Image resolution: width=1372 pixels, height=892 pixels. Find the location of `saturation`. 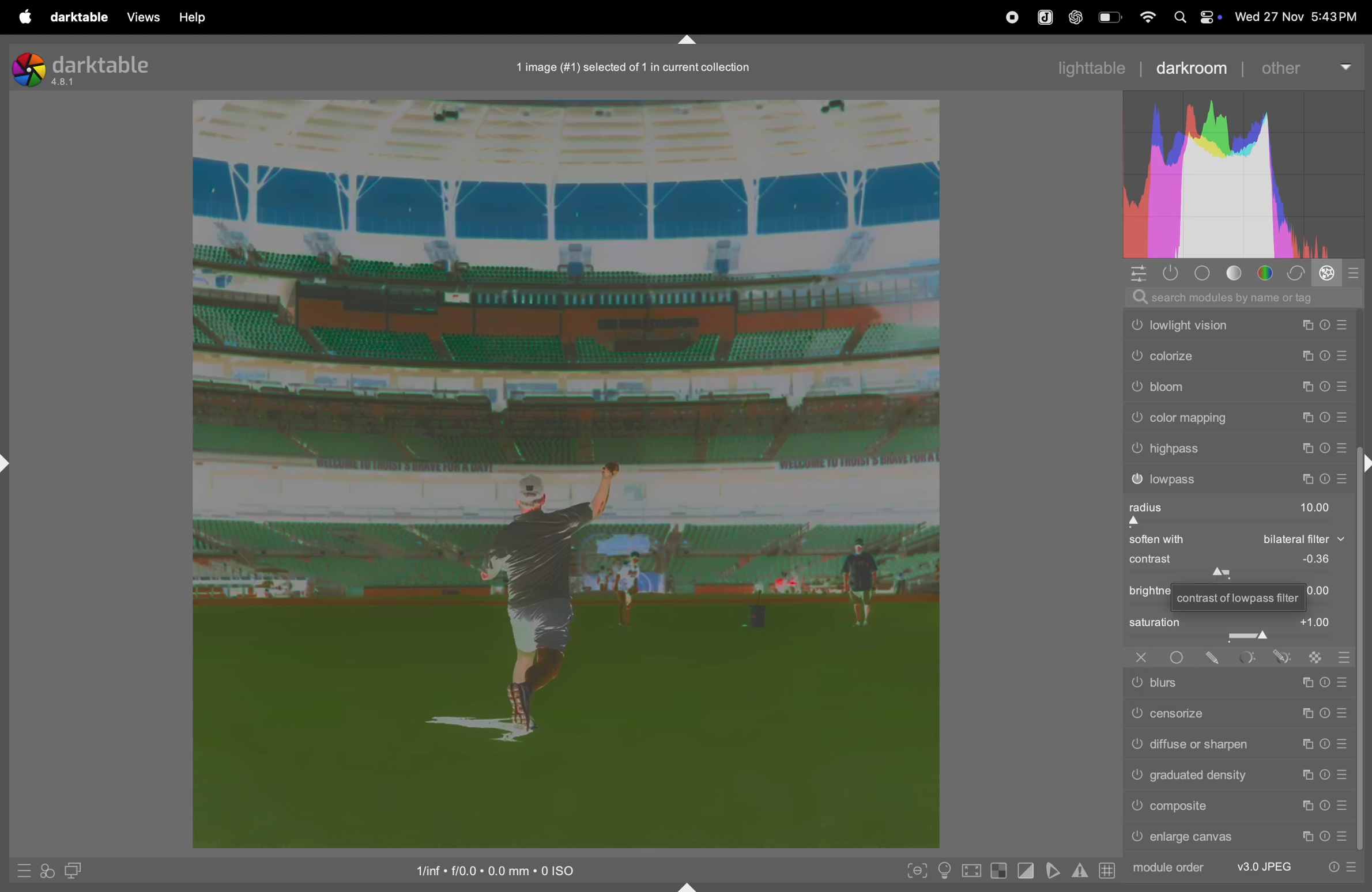

saturation is located at coordinates (1235, 629).